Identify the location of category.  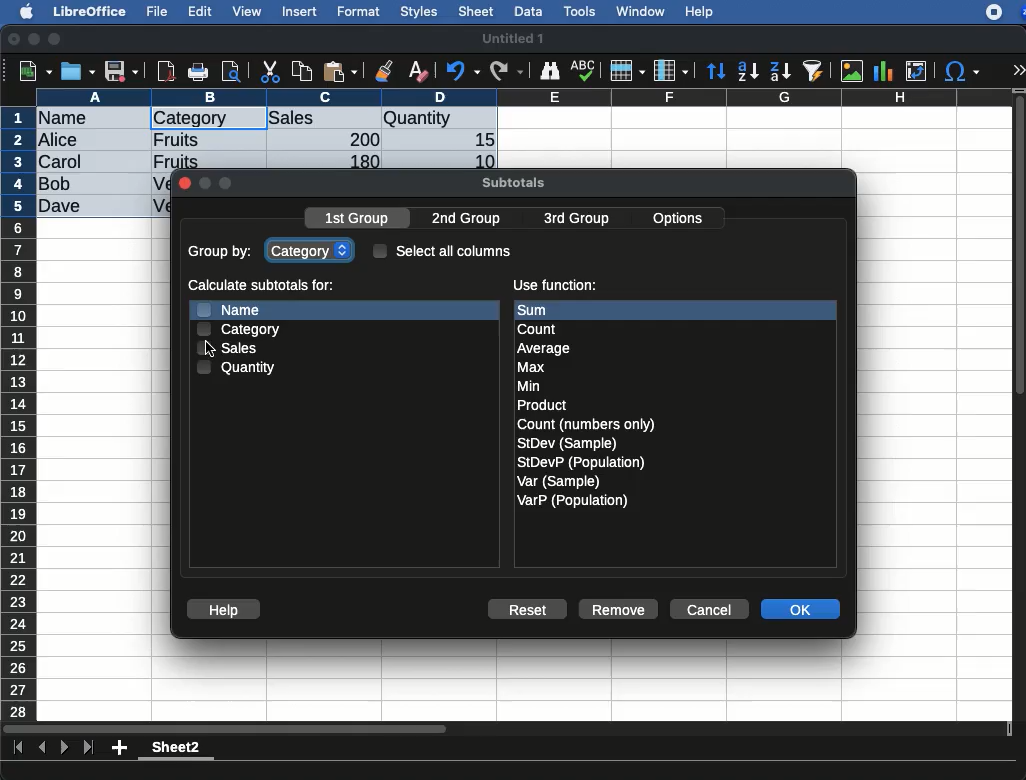
(312, 249).